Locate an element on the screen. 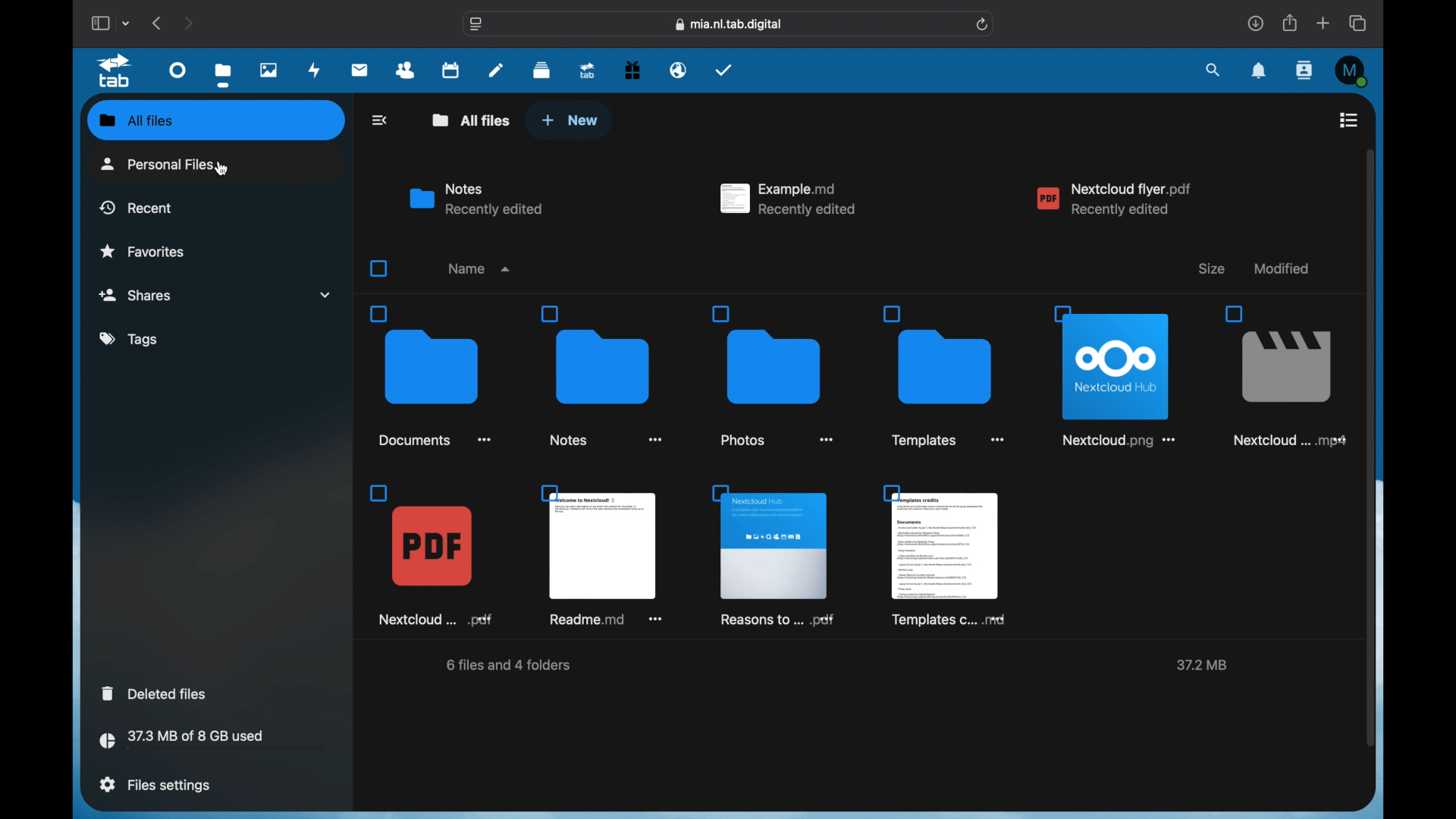 The height and width of the screenshot is (819, 1456). checkbox is located at coordinates (378, 268).